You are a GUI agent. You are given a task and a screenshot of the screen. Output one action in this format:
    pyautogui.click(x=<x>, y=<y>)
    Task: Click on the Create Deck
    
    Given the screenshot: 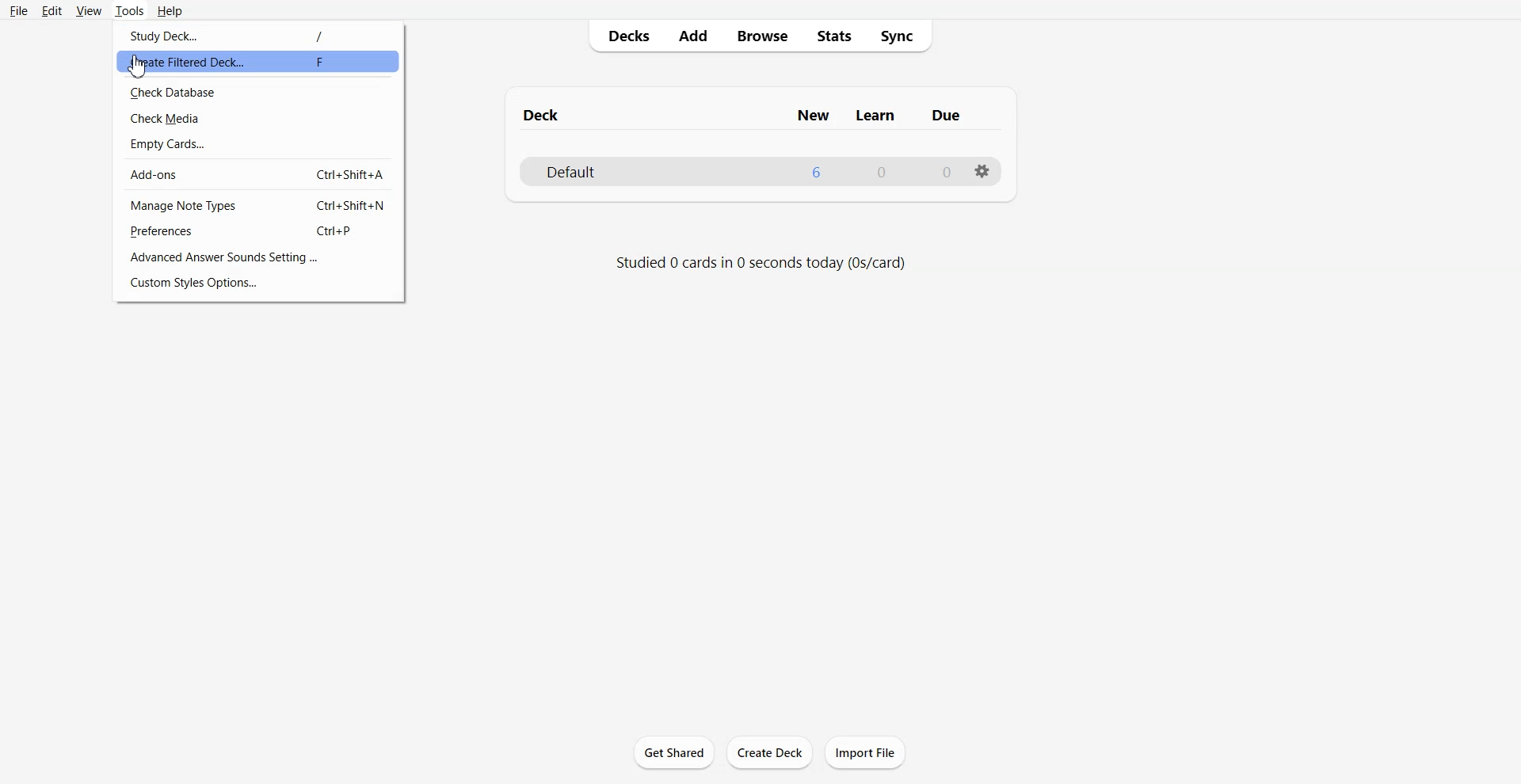 What is the action you would take?
    pyautogui.click(x=769, y=752)
    